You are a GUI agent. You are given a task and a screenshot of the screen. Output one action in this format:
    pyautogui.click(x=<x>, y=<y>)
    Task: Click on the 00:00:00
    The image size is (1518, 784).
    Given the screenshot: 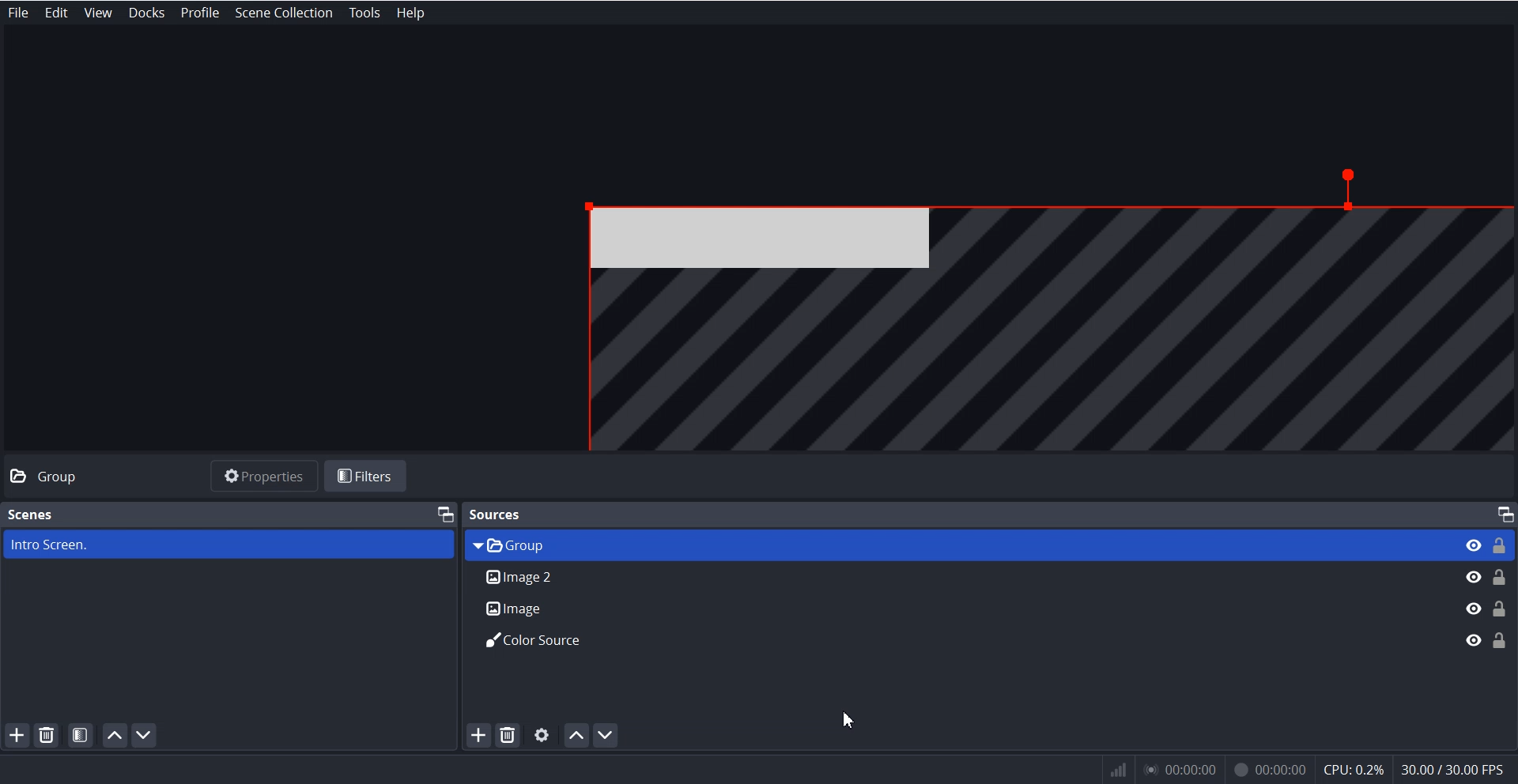 What is the action you would take?
    pyautogui.click(x=1183, y=770)
    